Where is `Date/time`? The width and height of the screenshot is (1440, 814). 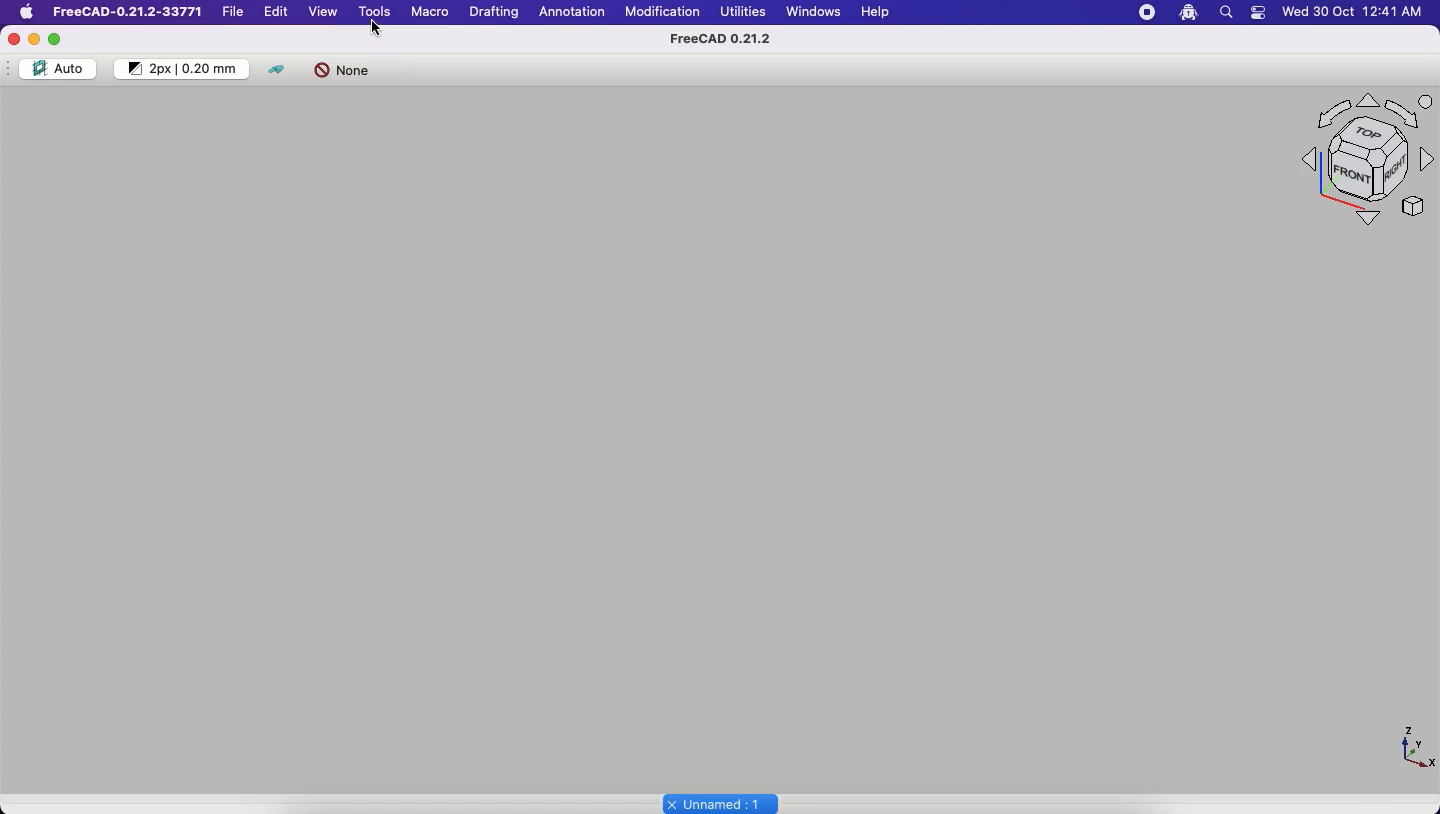 Date/time is located at coordinates (1352, 12).